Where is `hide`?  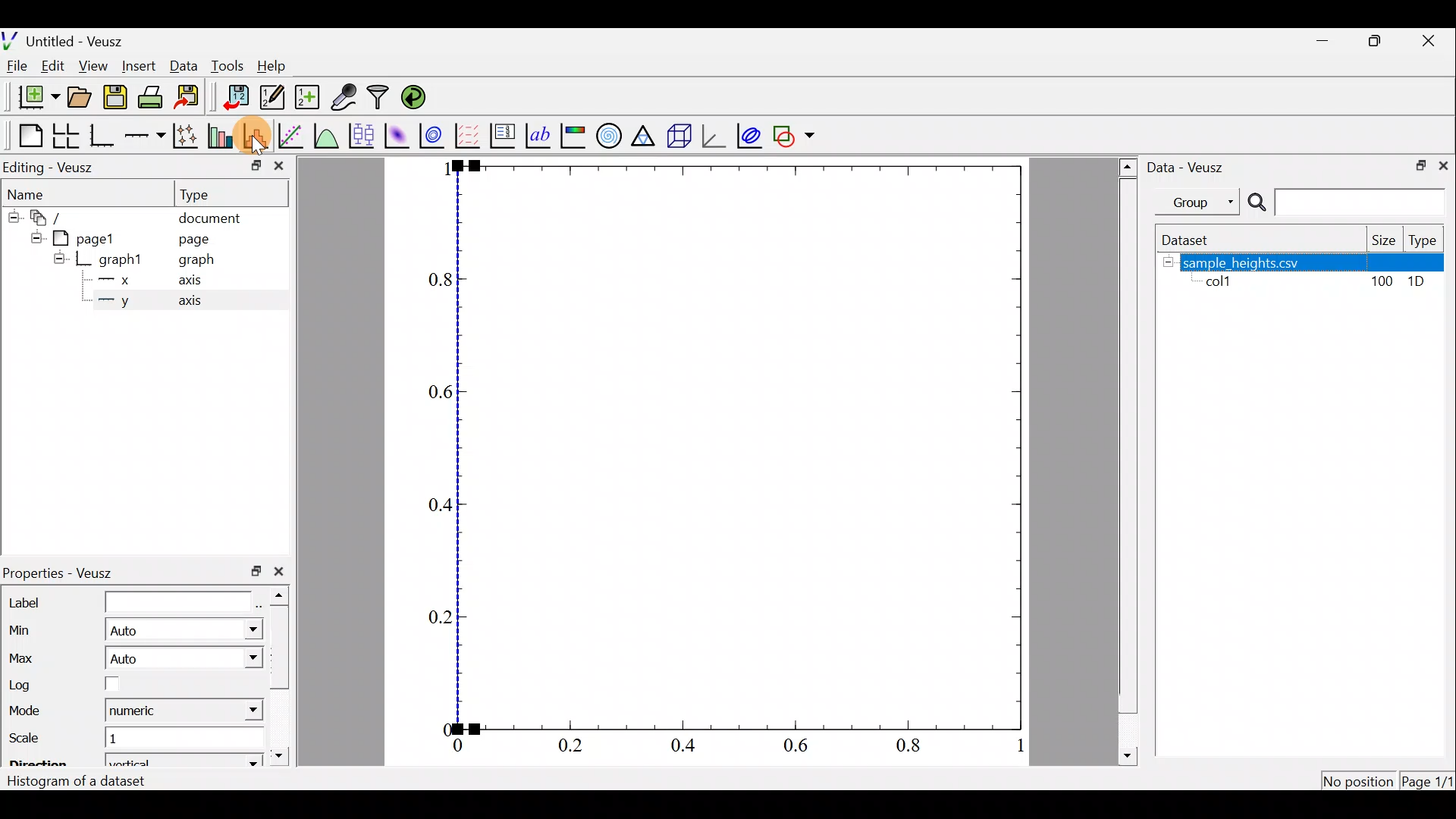
hide is located at coordinates (11, 218).